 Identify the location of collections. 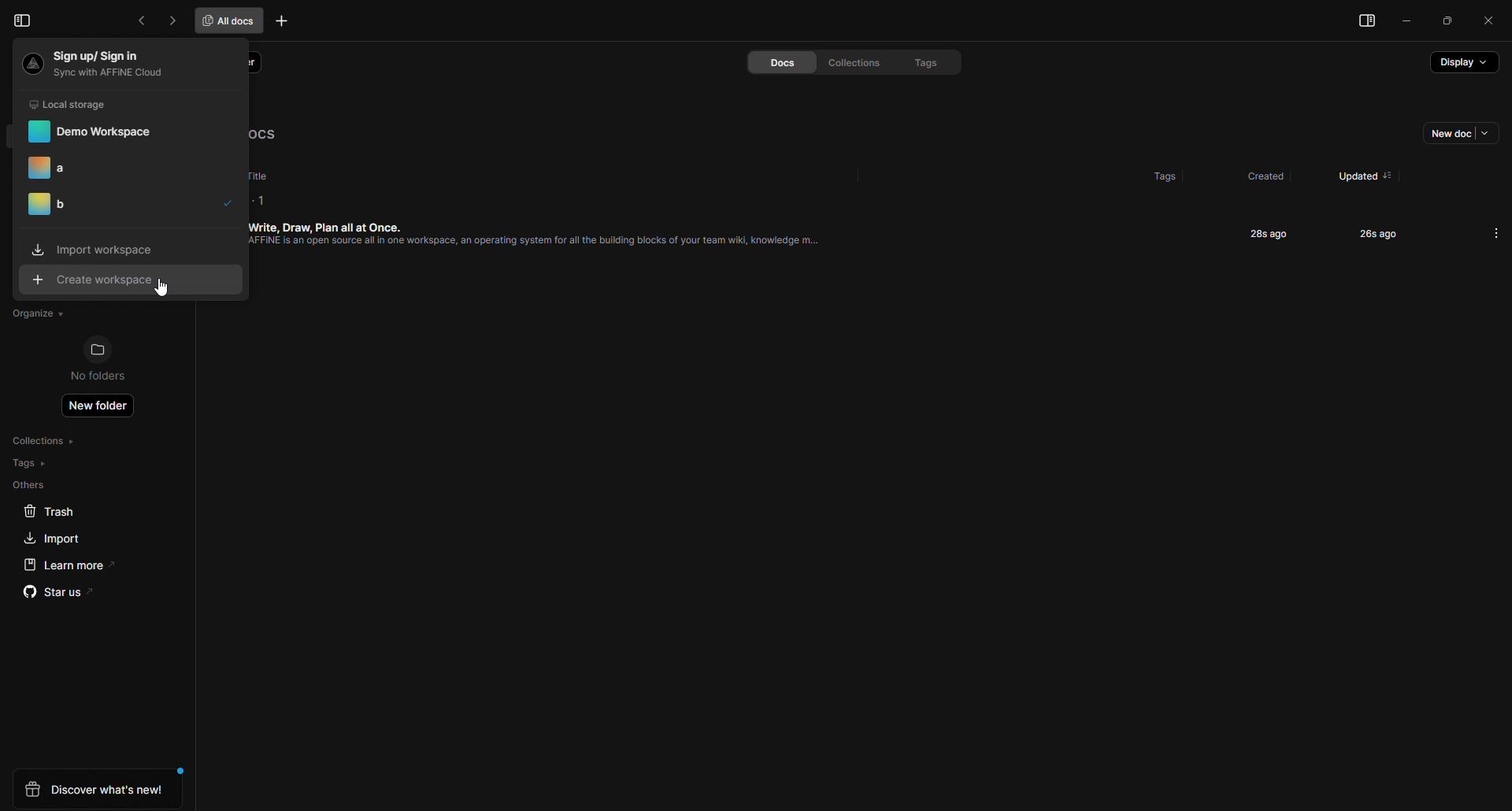
(848, 62).